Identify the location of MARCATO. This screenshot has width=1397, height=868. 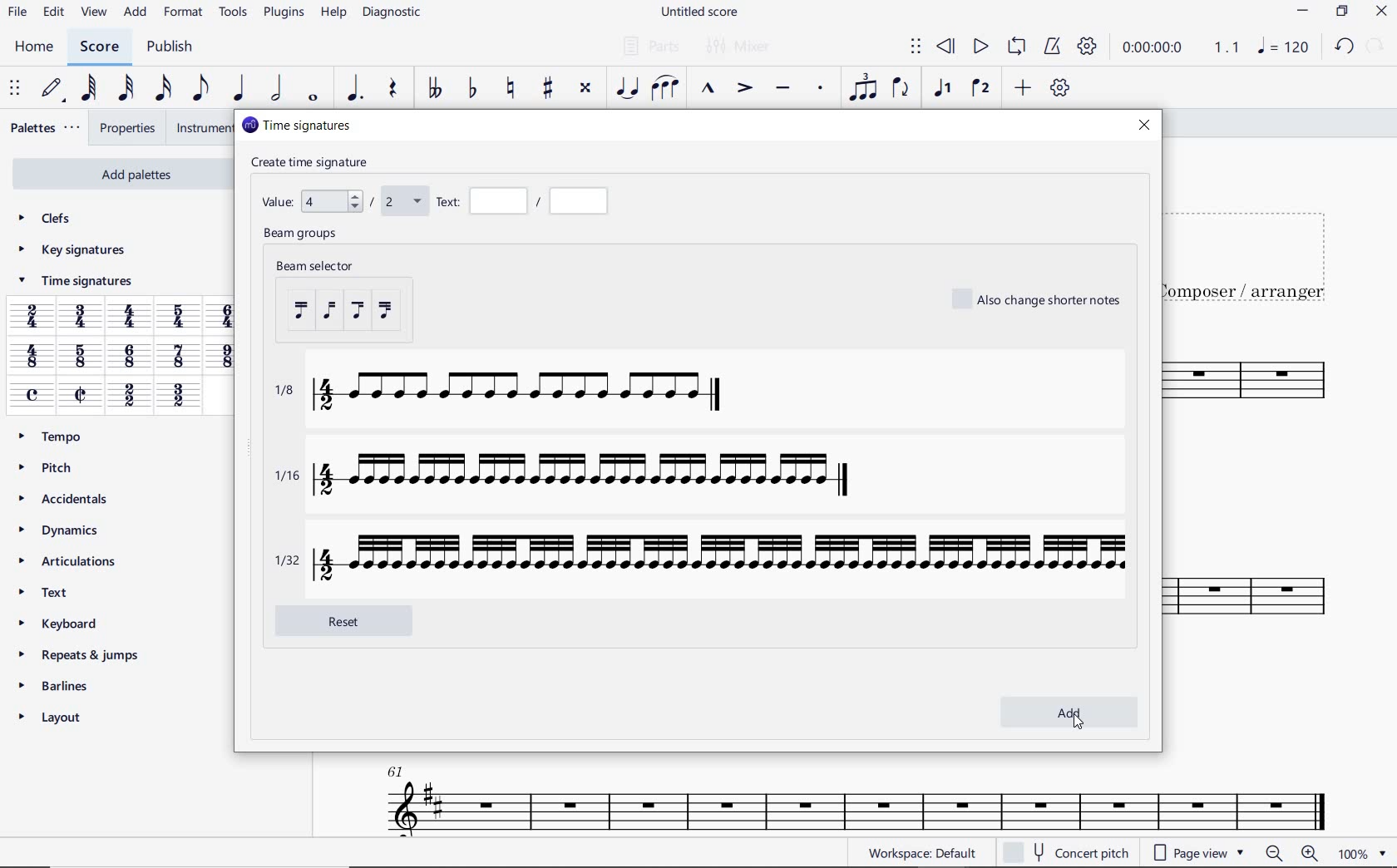
(708, 90).